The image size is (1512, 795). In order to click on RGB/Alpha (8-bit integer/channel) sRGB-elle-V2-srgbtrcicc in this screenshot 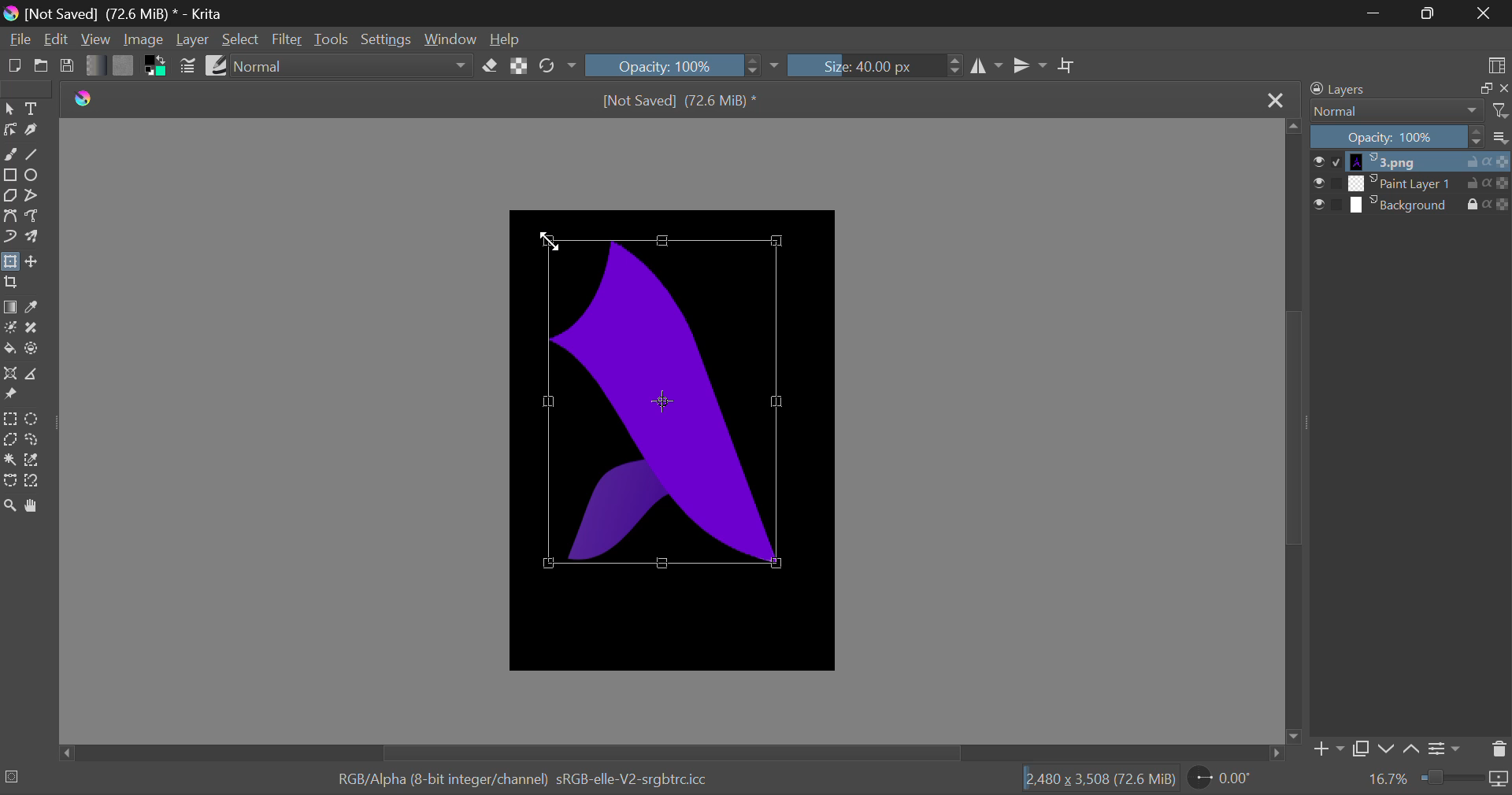, I will do `click(524, 780)`.